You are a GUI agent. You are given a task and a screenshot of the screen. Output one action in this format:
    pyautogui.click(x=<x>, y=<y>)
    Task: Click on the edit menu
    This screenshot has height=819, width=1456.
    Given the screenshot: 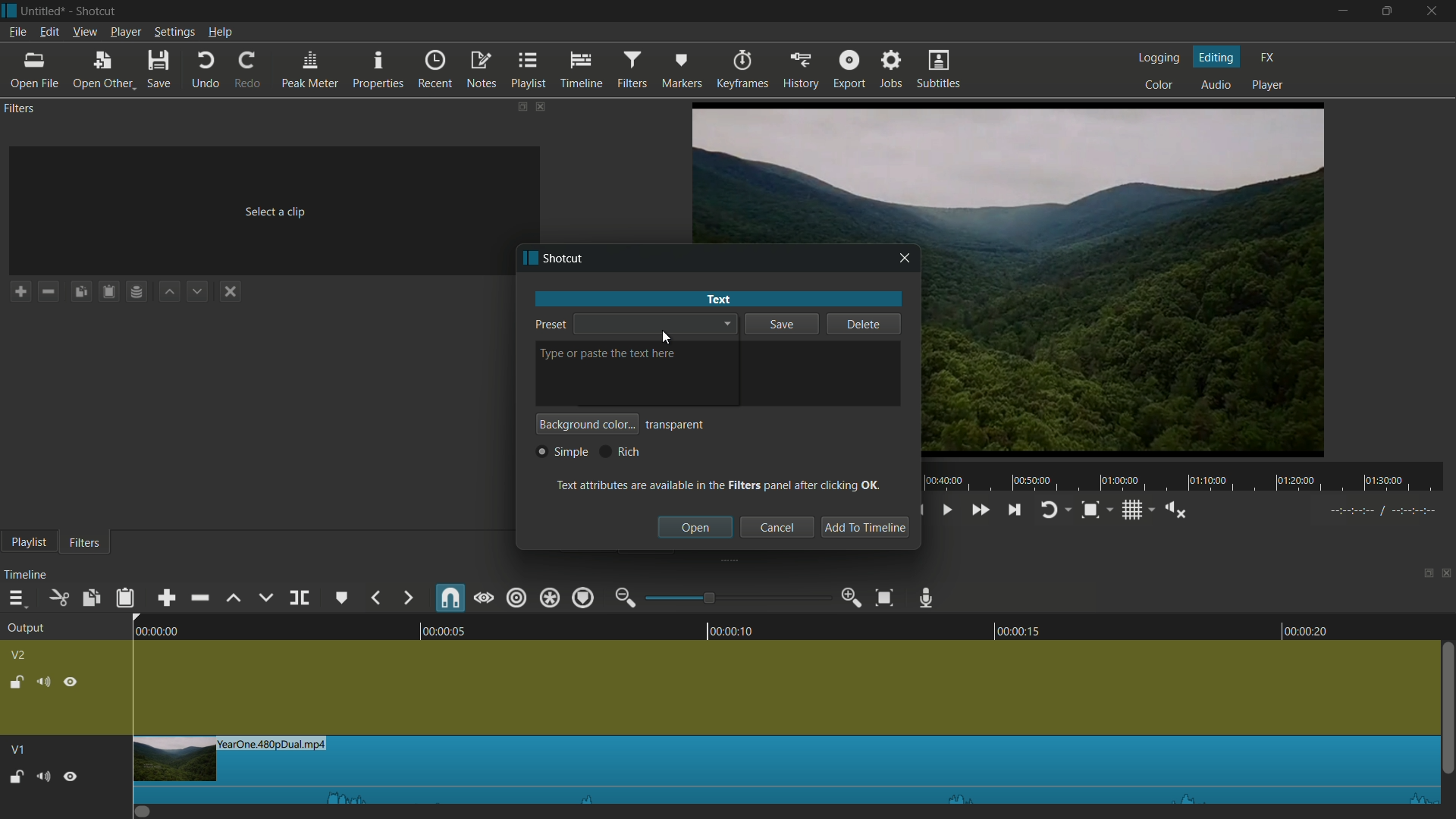 What is the action you would take?
    pyautogui.click(x=49, y=32)
    